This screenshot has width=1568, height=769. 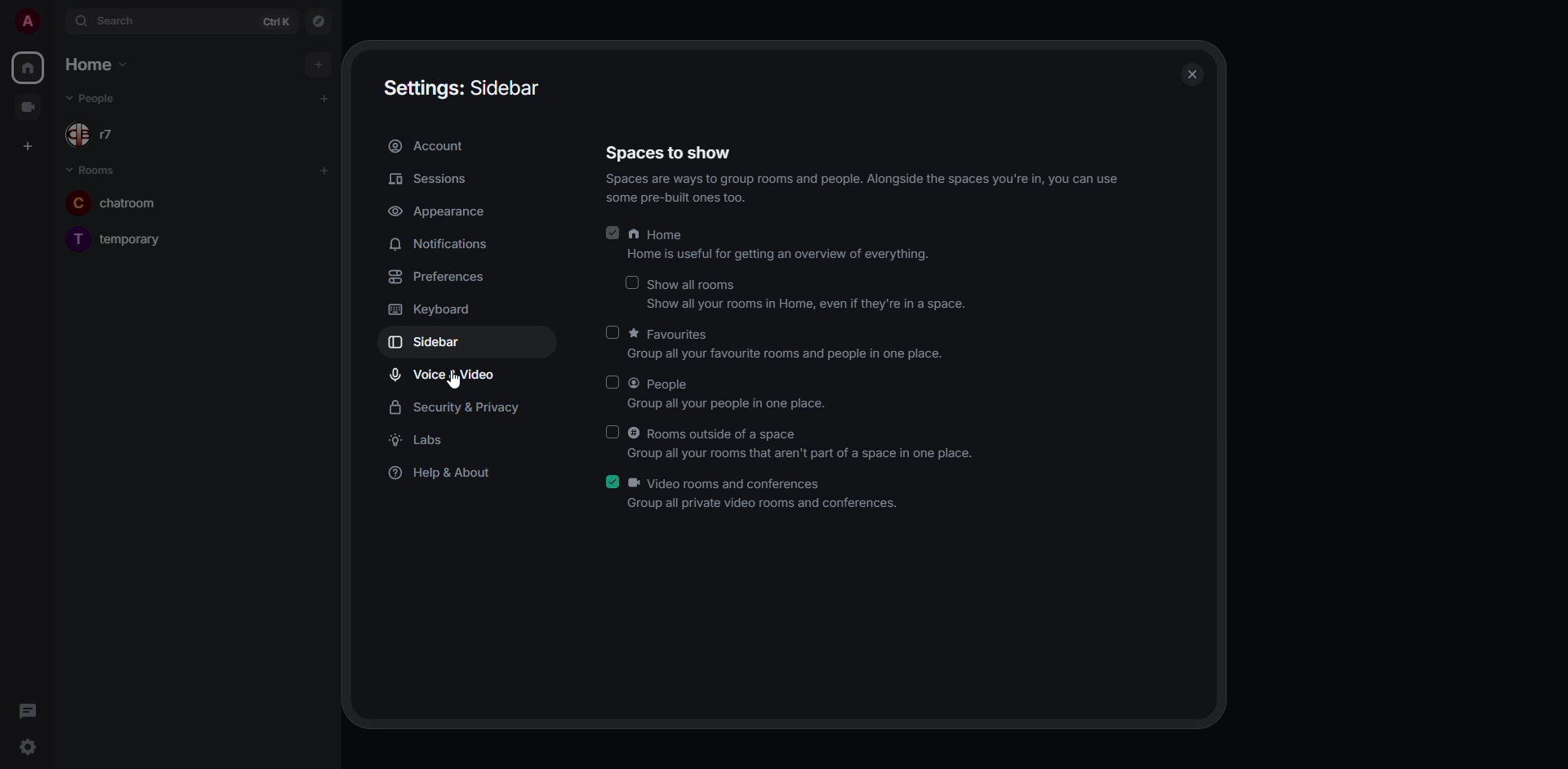 I want to click on profile, so click(x=25, y=21).